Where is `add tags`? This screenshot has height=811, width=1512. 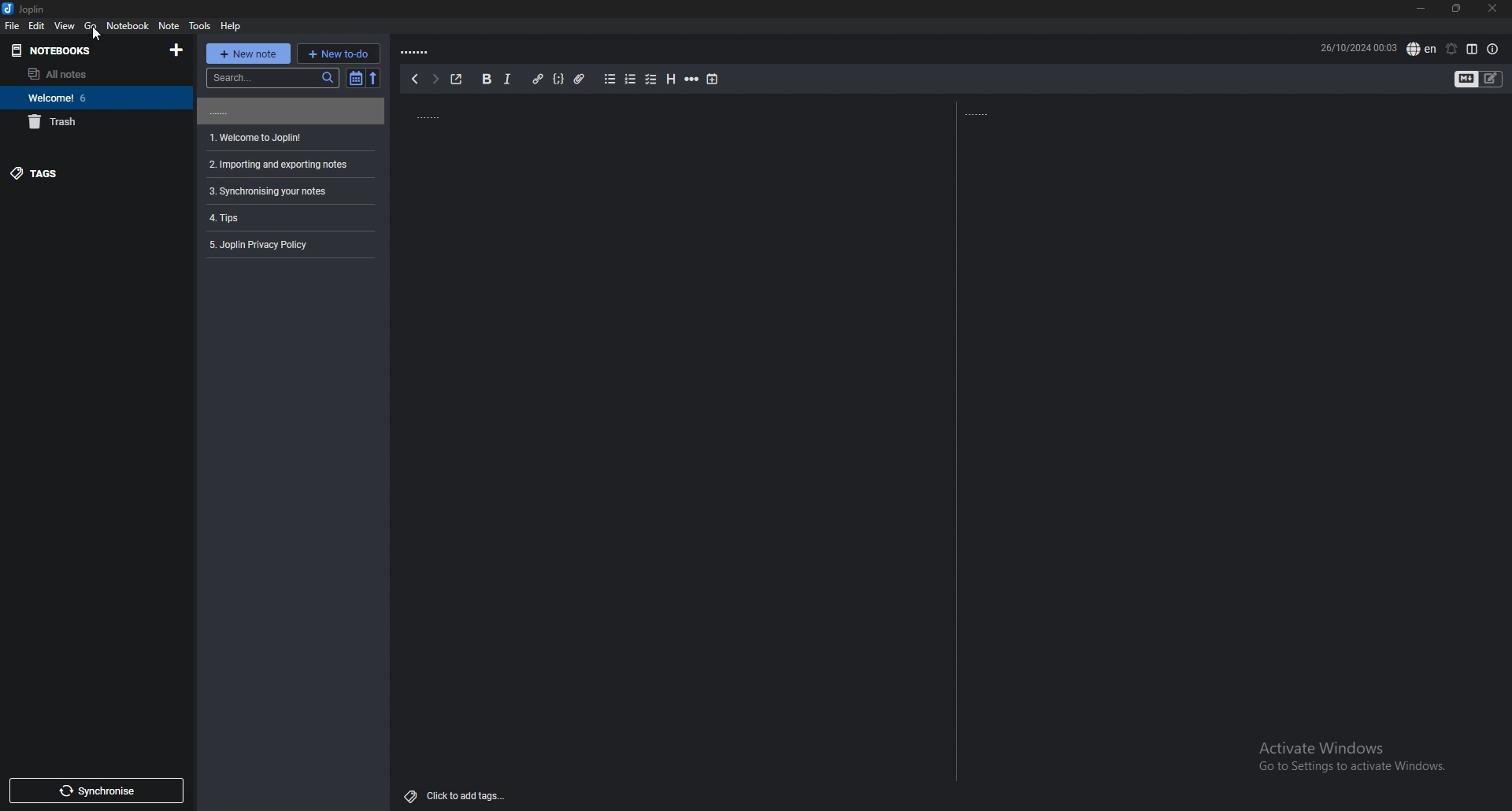 add tags is located at coordinates (455, 798).